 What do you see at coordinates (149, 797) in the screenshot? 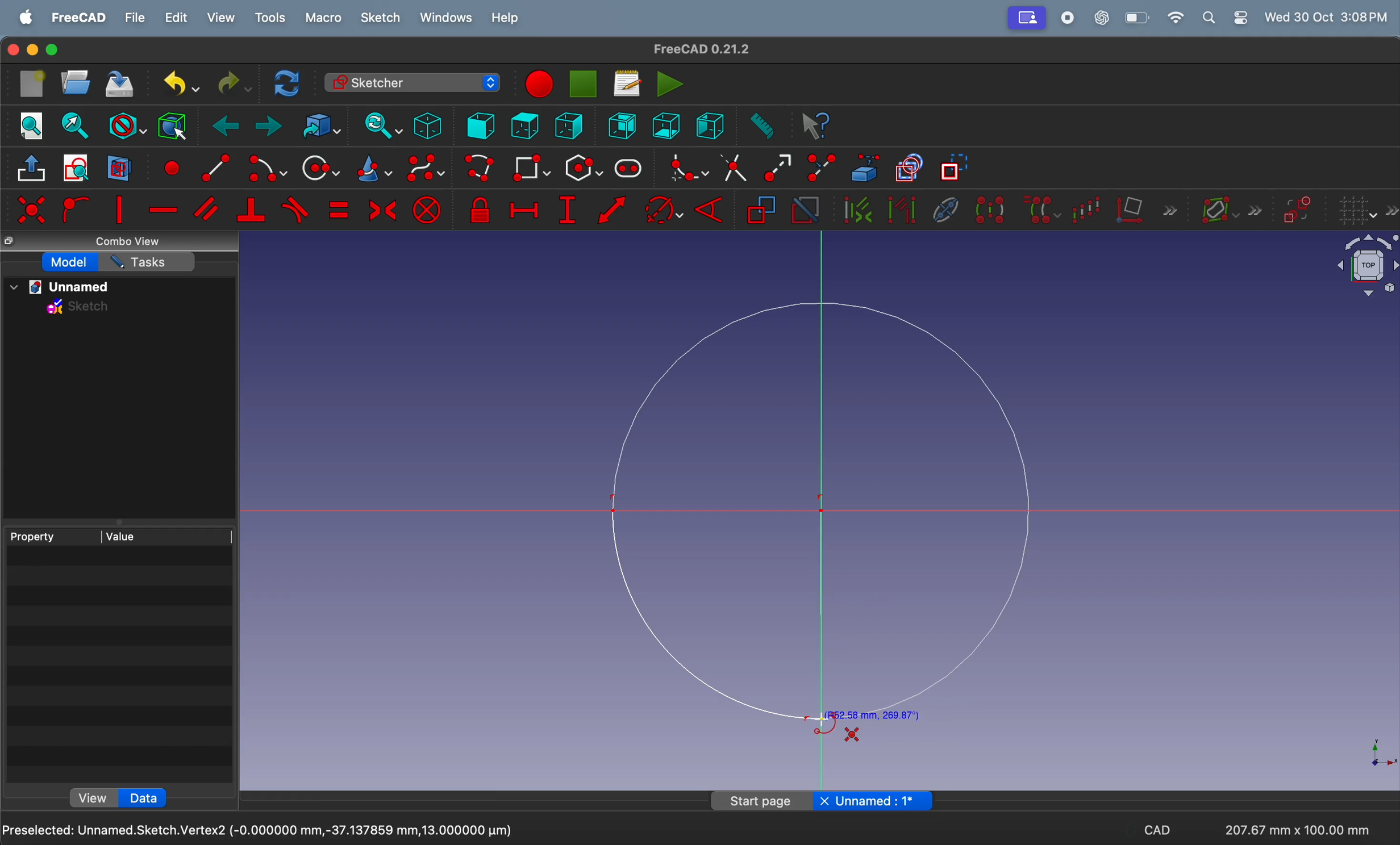
I see `data` at bounding box center [149, 797].